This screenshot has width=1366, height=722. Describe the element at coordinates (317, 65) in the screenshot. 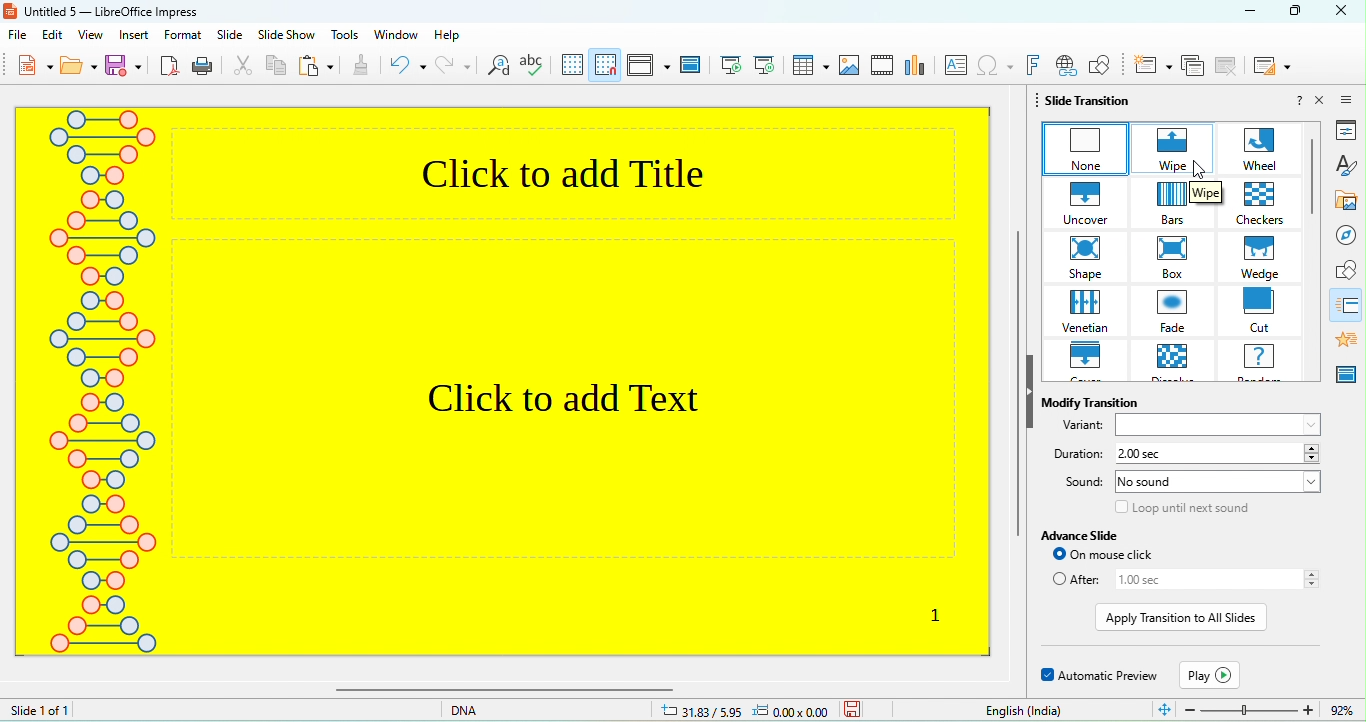

I see `paste` at that location.